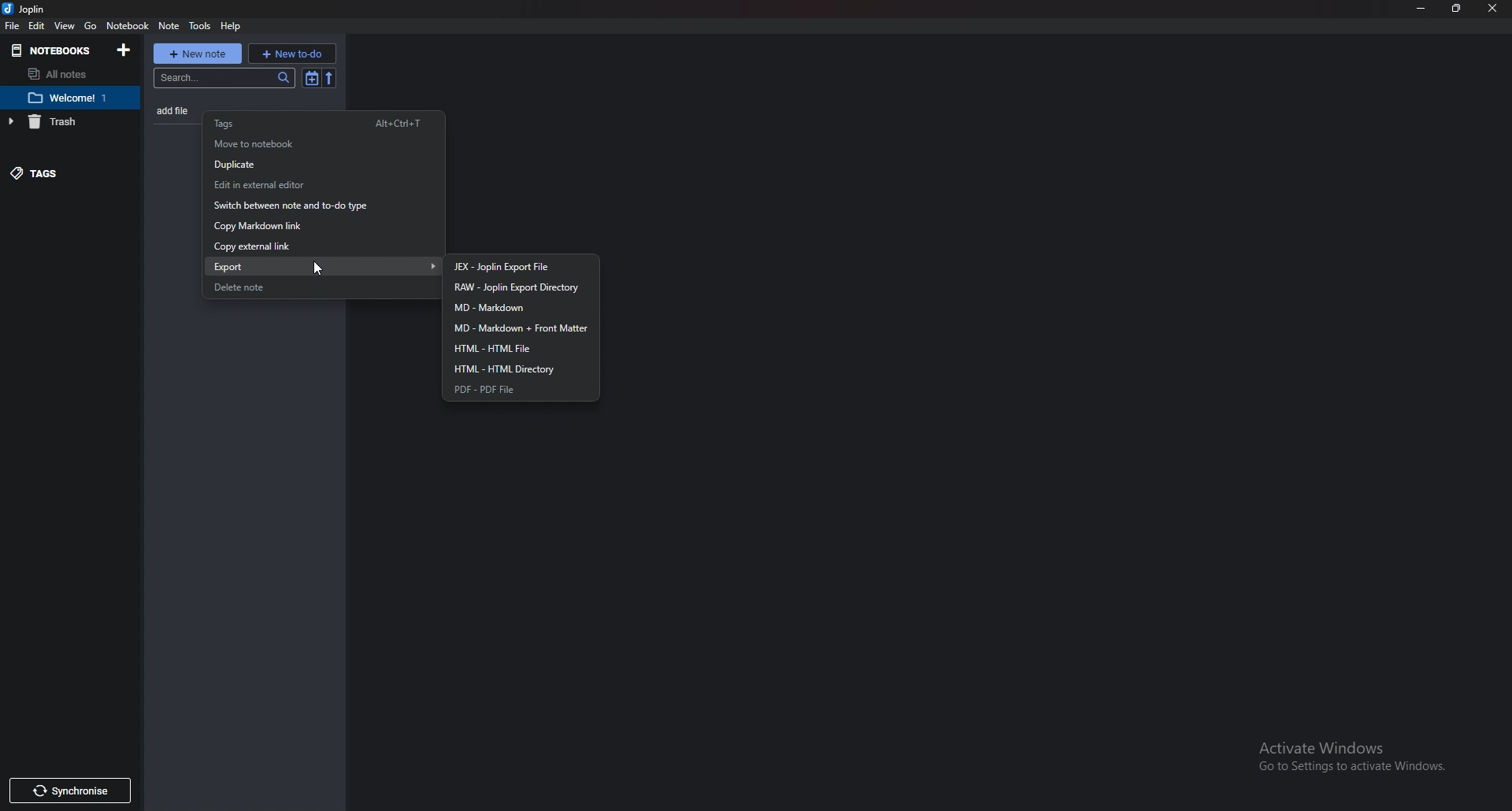 This screenshot has width=1512, height=811. What do you see at coordinates (309, 287) in the screenshot?
I see `Delete note` at bounding box center [309, 287].